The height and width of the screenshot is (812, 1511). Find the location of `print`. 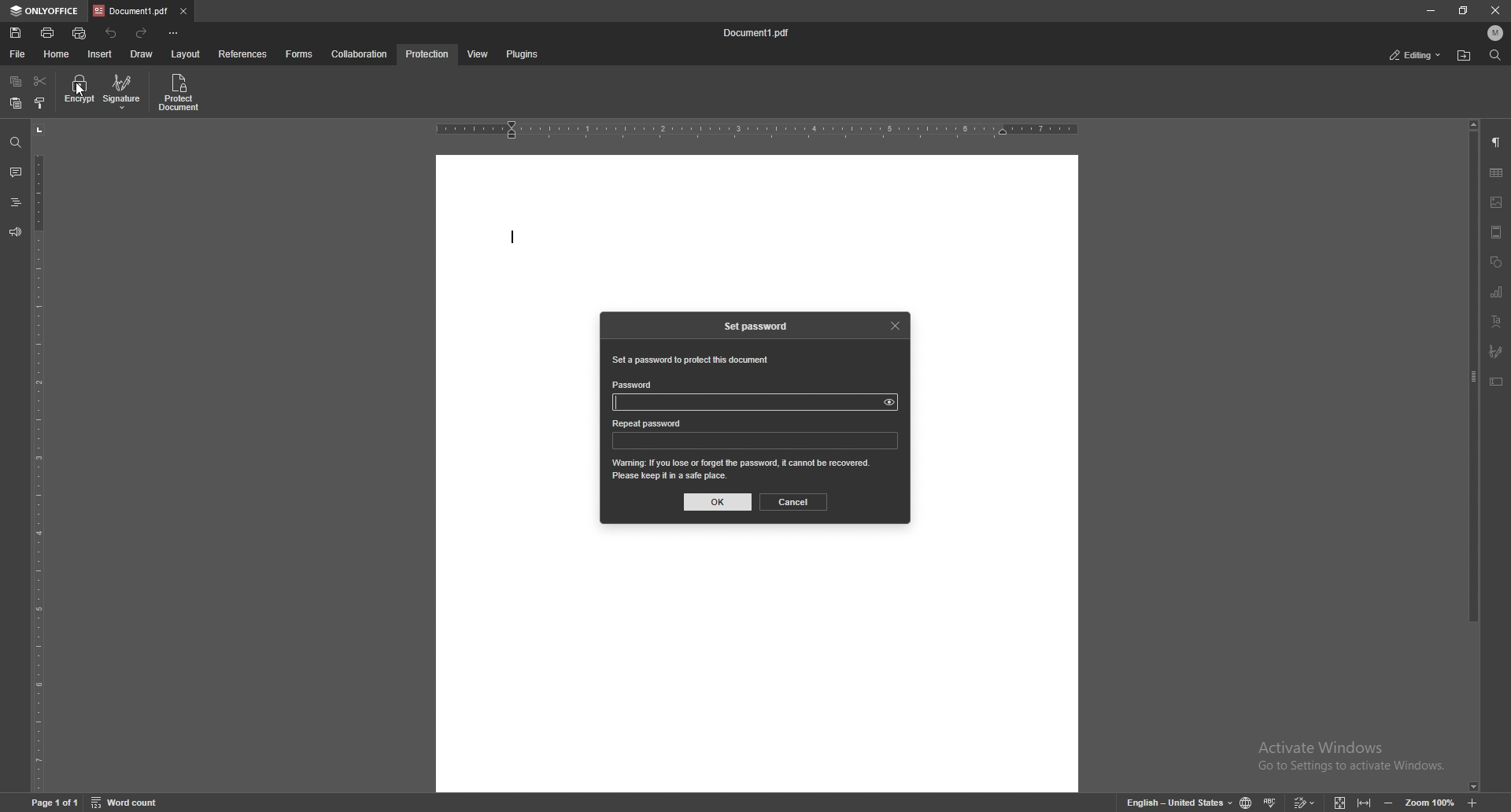

print is located at coordinates (48, 33).